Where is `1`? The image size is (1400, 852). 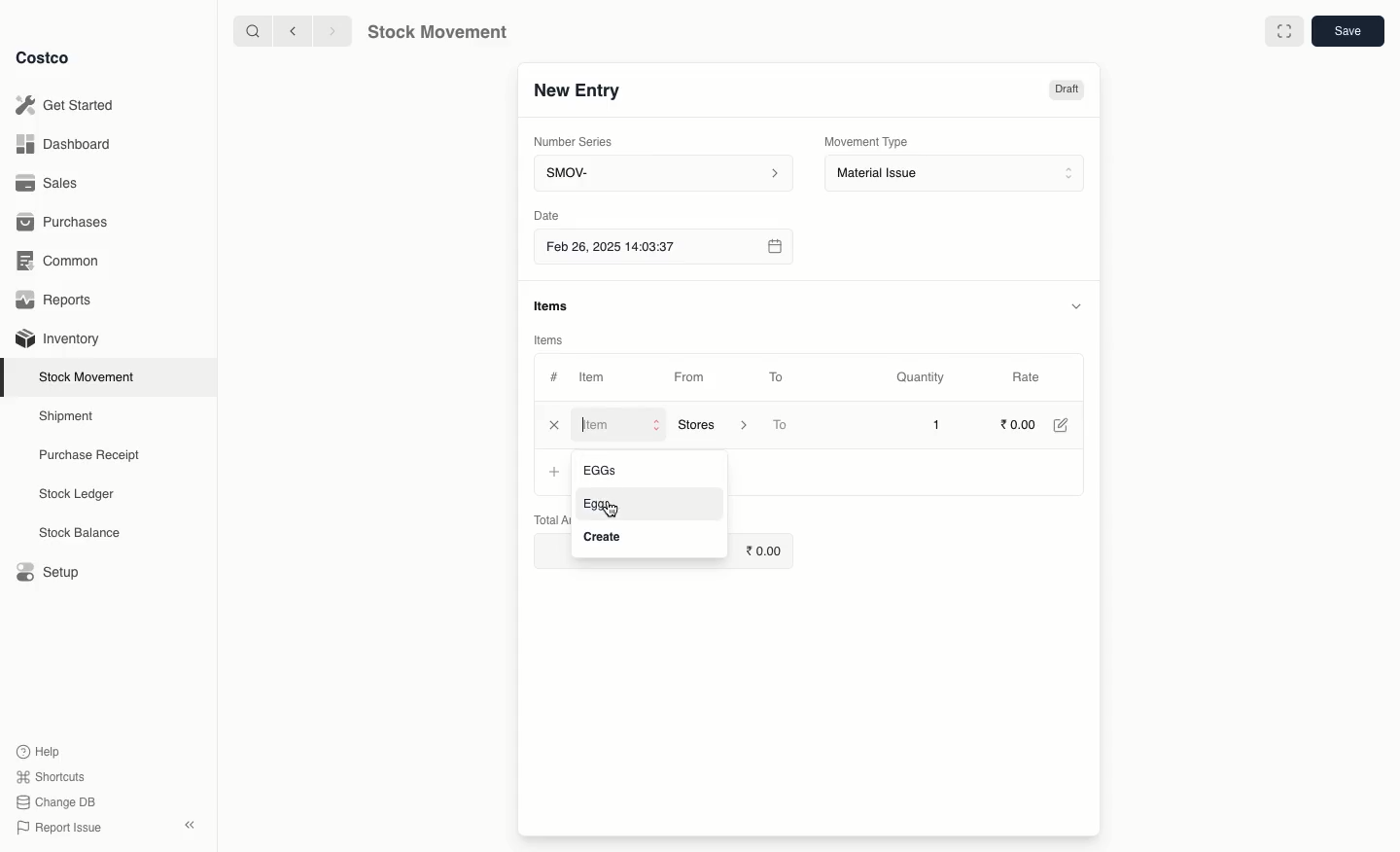 1 is located at coordinates (939, 425).